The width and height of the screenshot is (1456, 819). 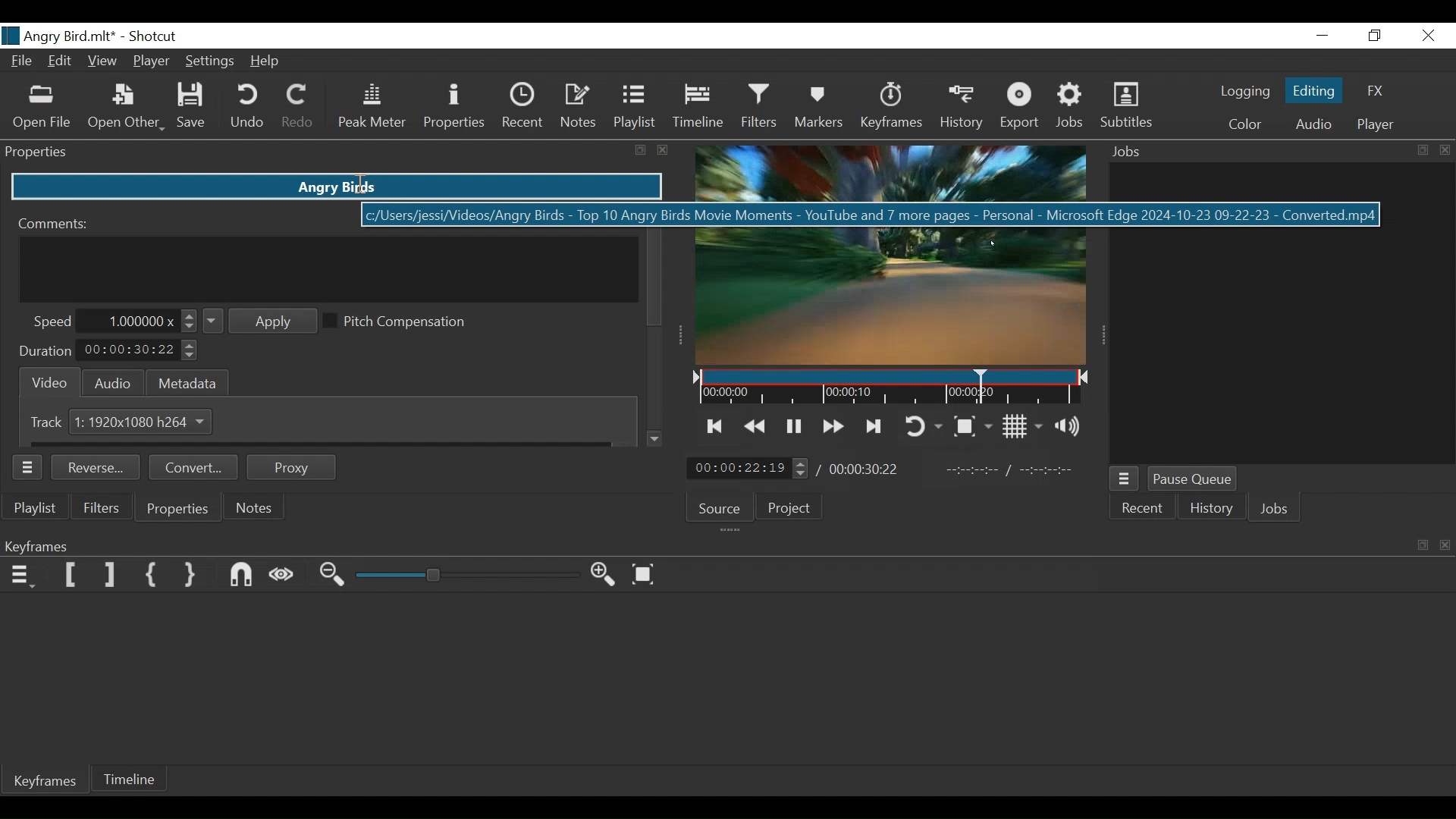 I want to click on , so click(x=715, y=506).